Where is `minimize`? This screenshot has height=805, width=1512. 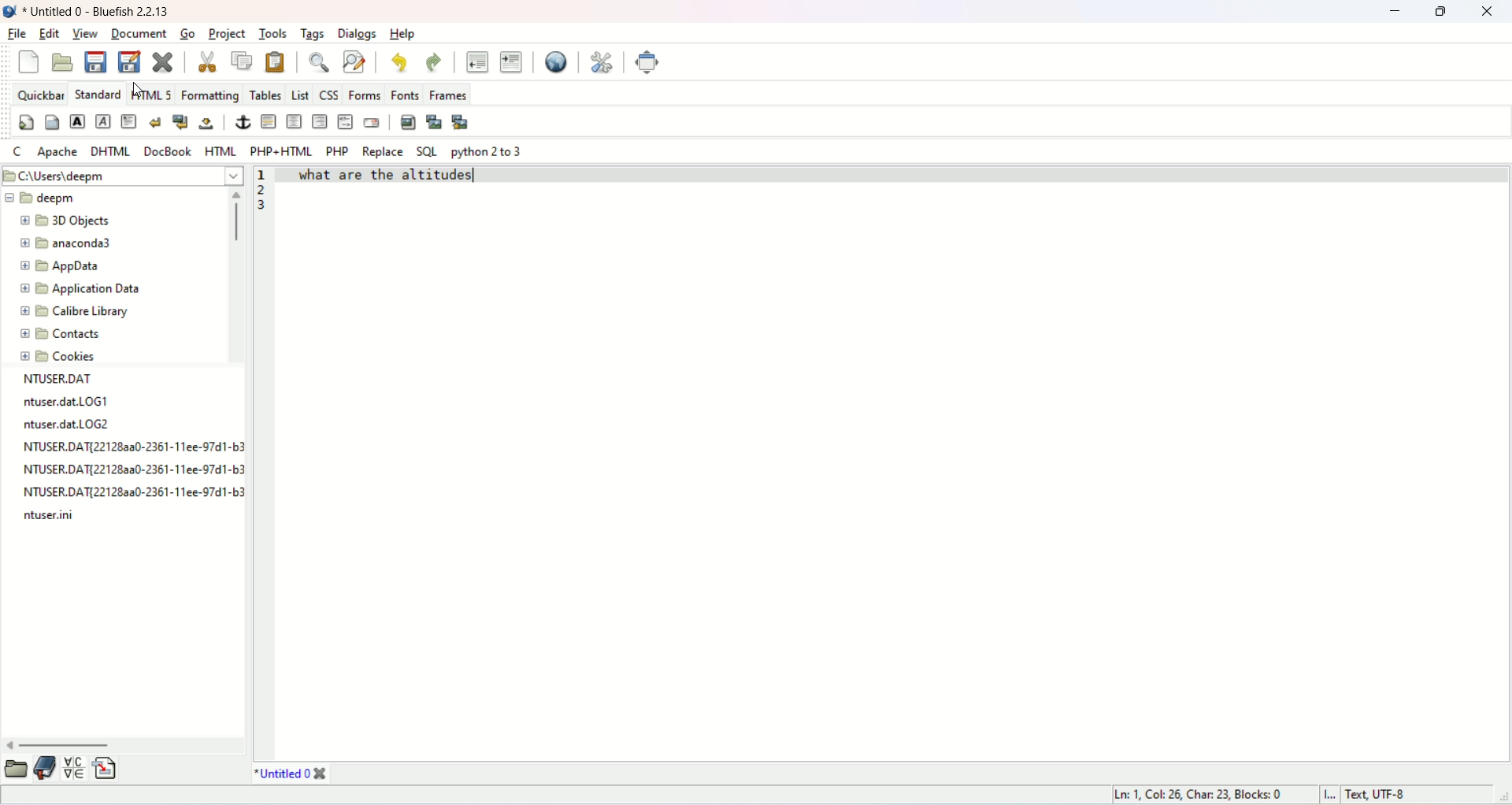 minimize is located at coordinates (1395, 13).